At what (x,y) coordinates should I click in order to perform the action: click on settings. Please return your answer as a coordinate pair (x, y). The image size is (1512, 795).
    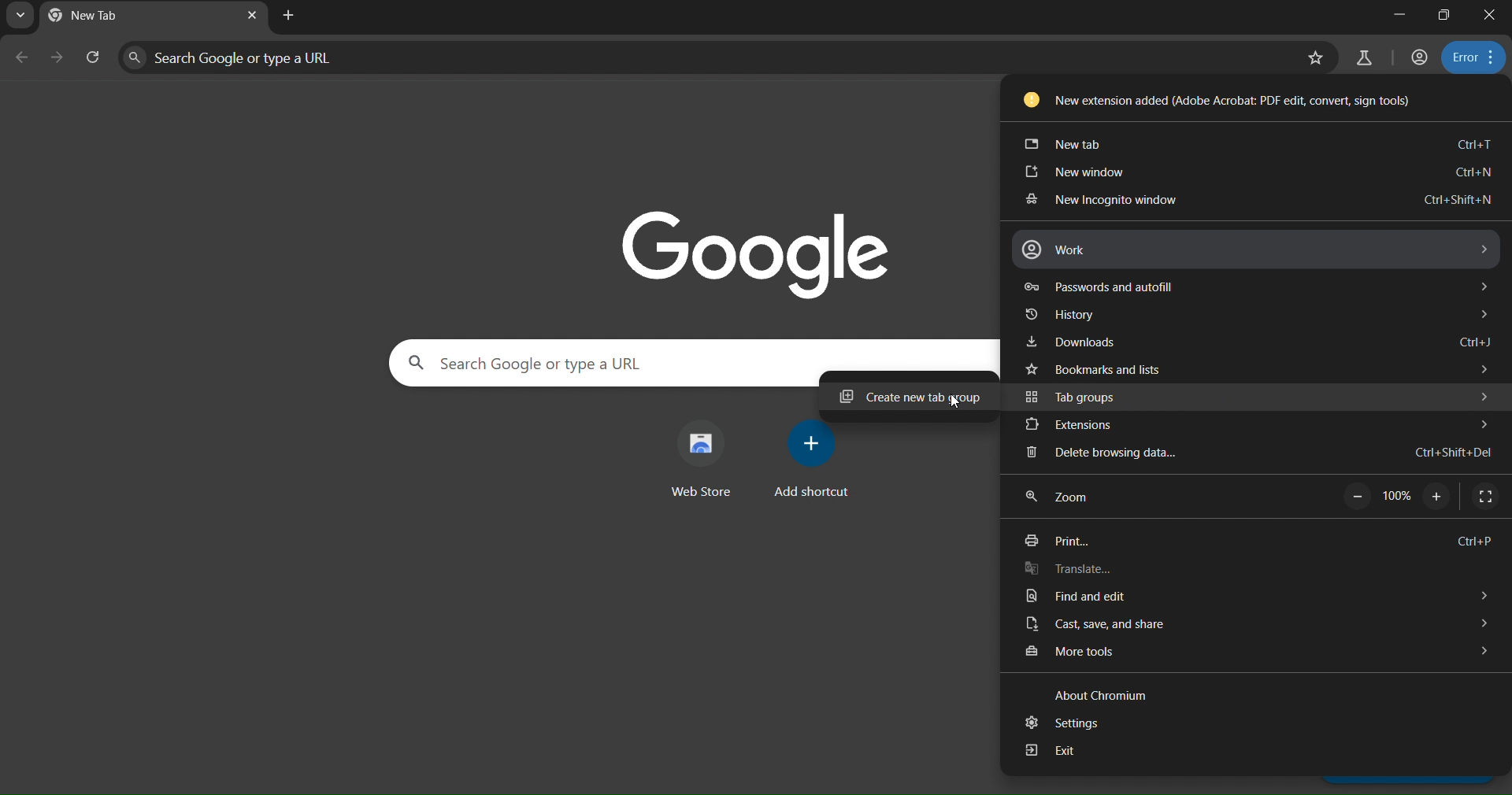
    Looking at the image, I should click on (1258, 723).